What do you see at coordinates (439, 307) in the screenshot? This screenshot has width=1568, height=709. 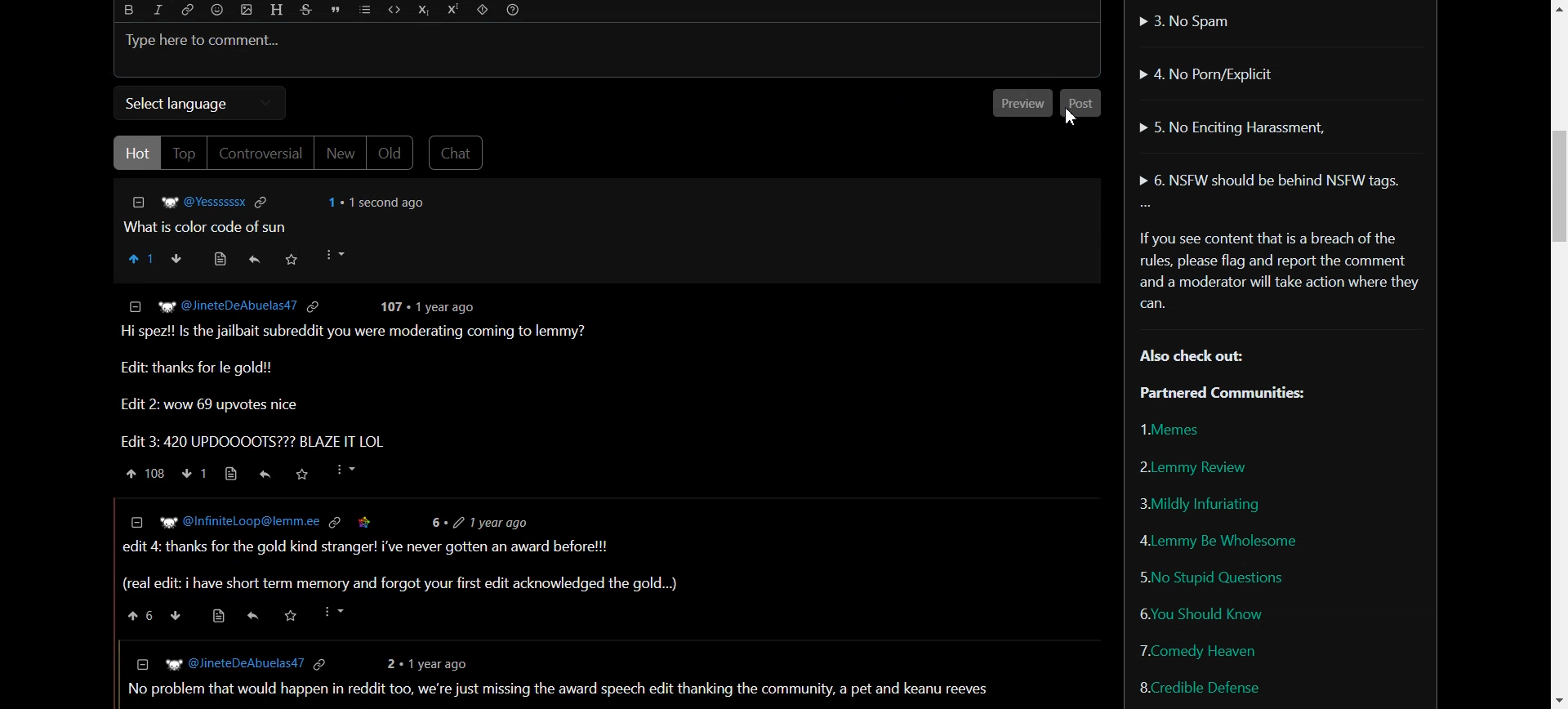 I see `107 « 1 year ago` at bounding box center [439, 307].